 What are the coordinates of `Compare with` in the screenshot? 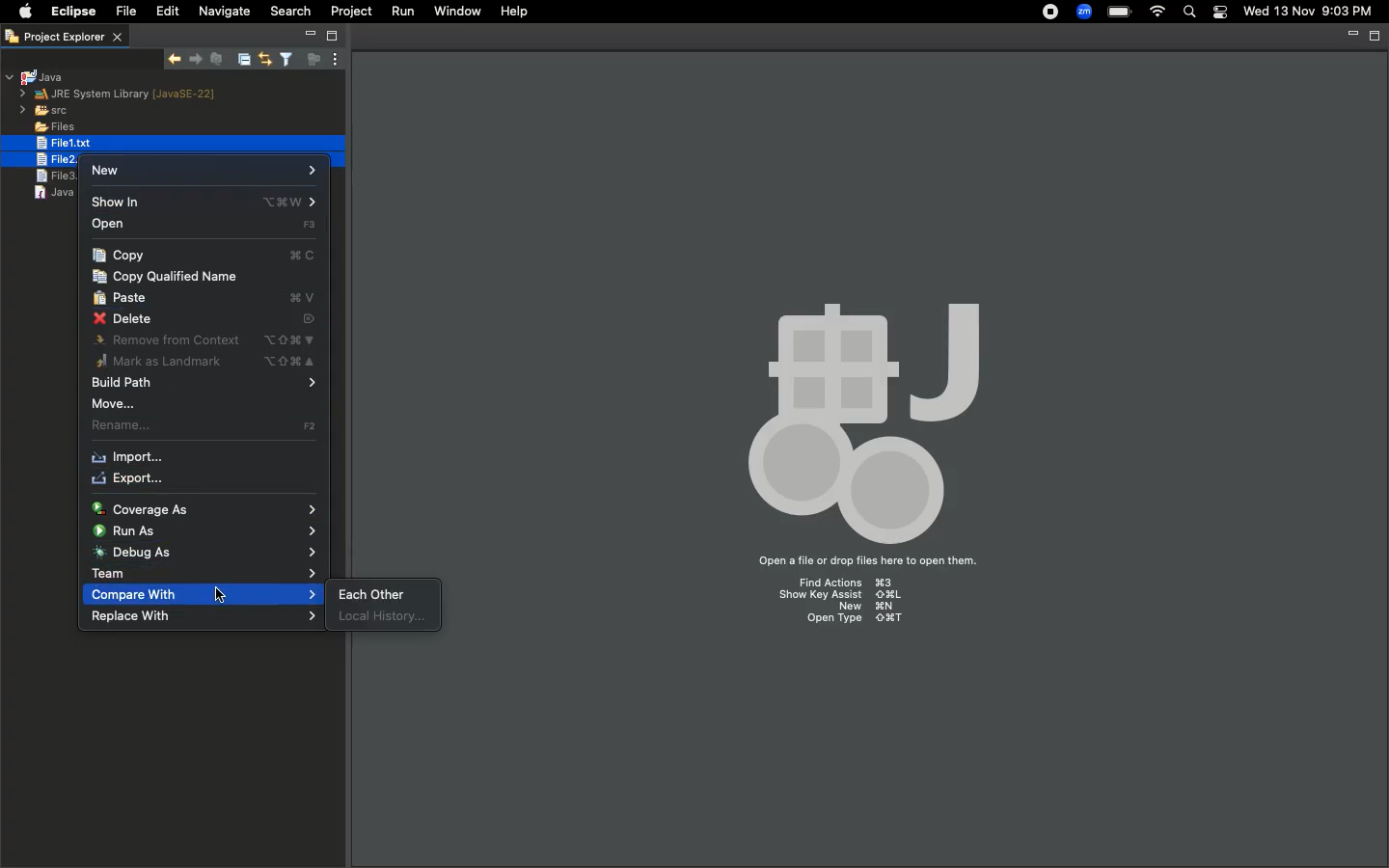 It's located at (204, 595).